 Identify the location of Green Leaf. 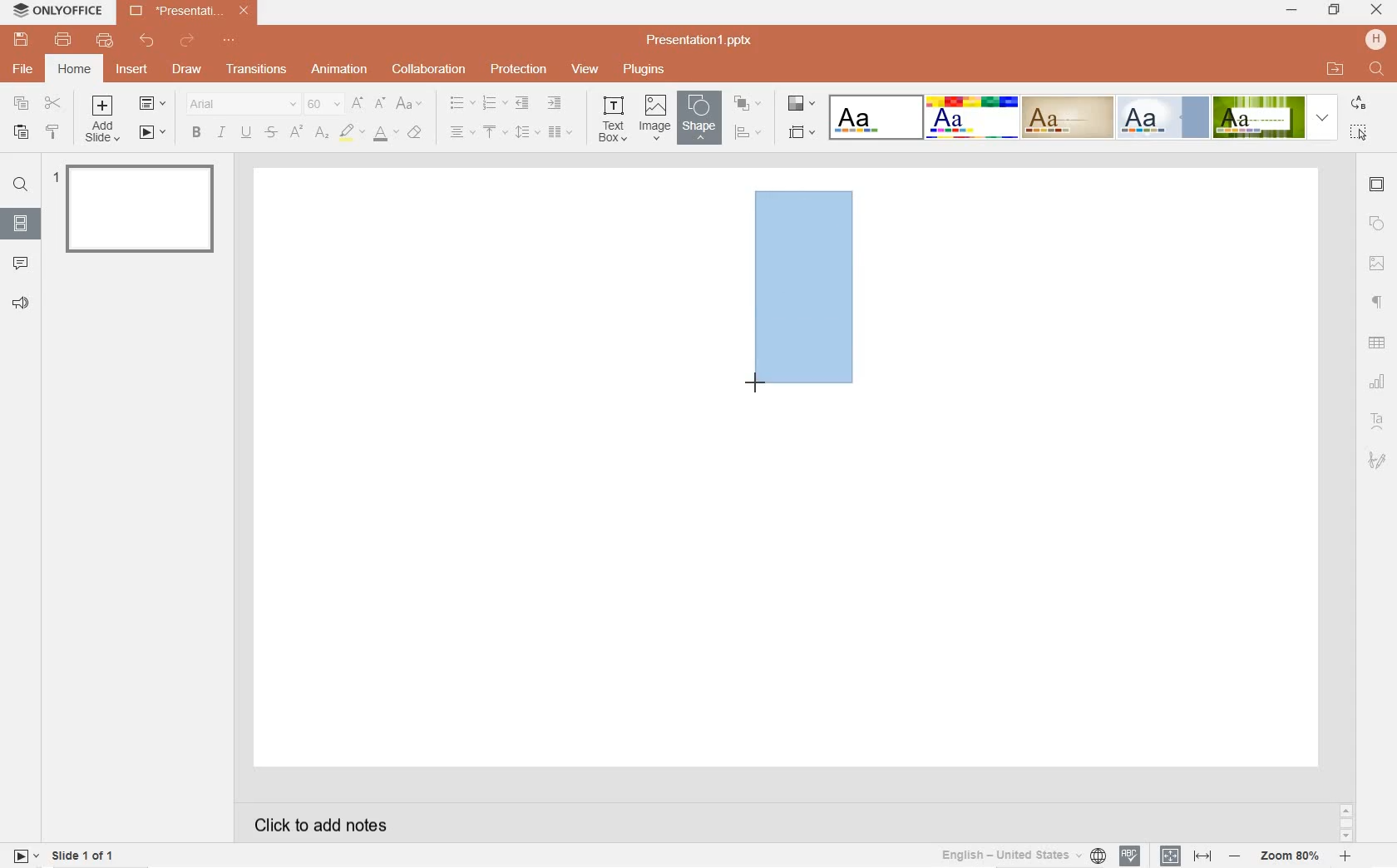
(1258, 116).